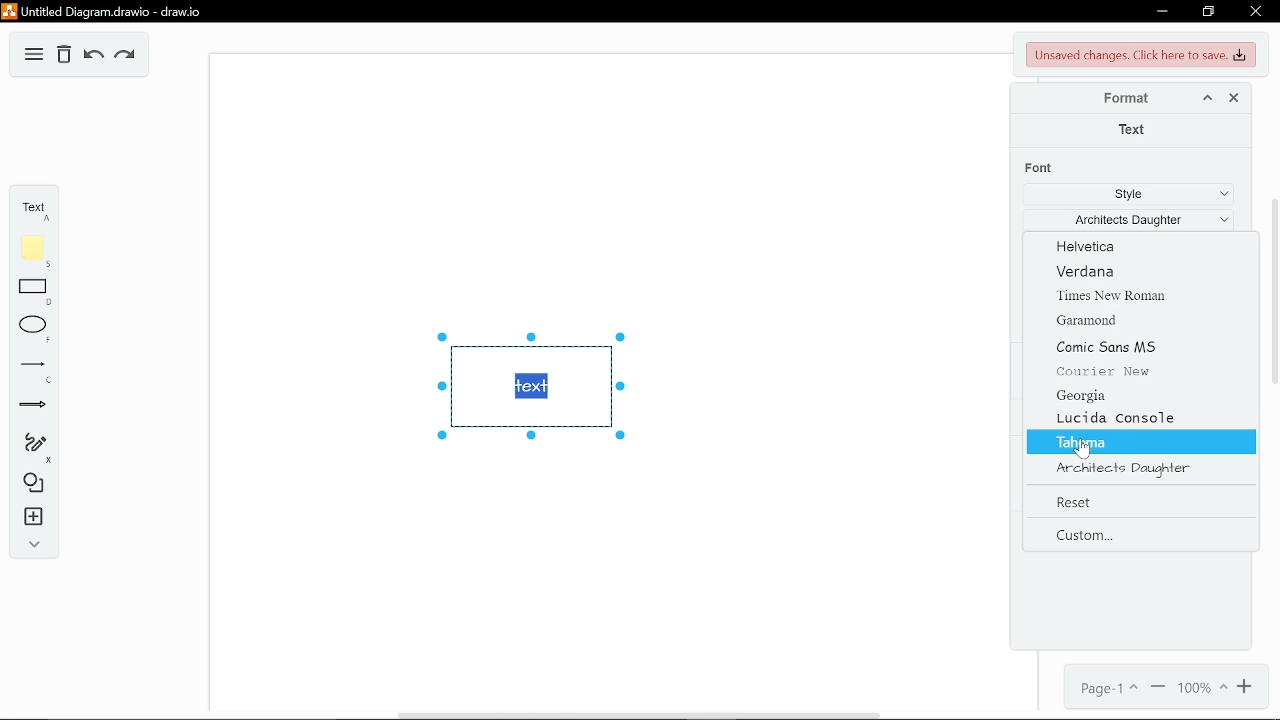  What do you see at coordinates (30, 330) in the screenshot?
I see `ellipse` at bounding box center [30, 330].